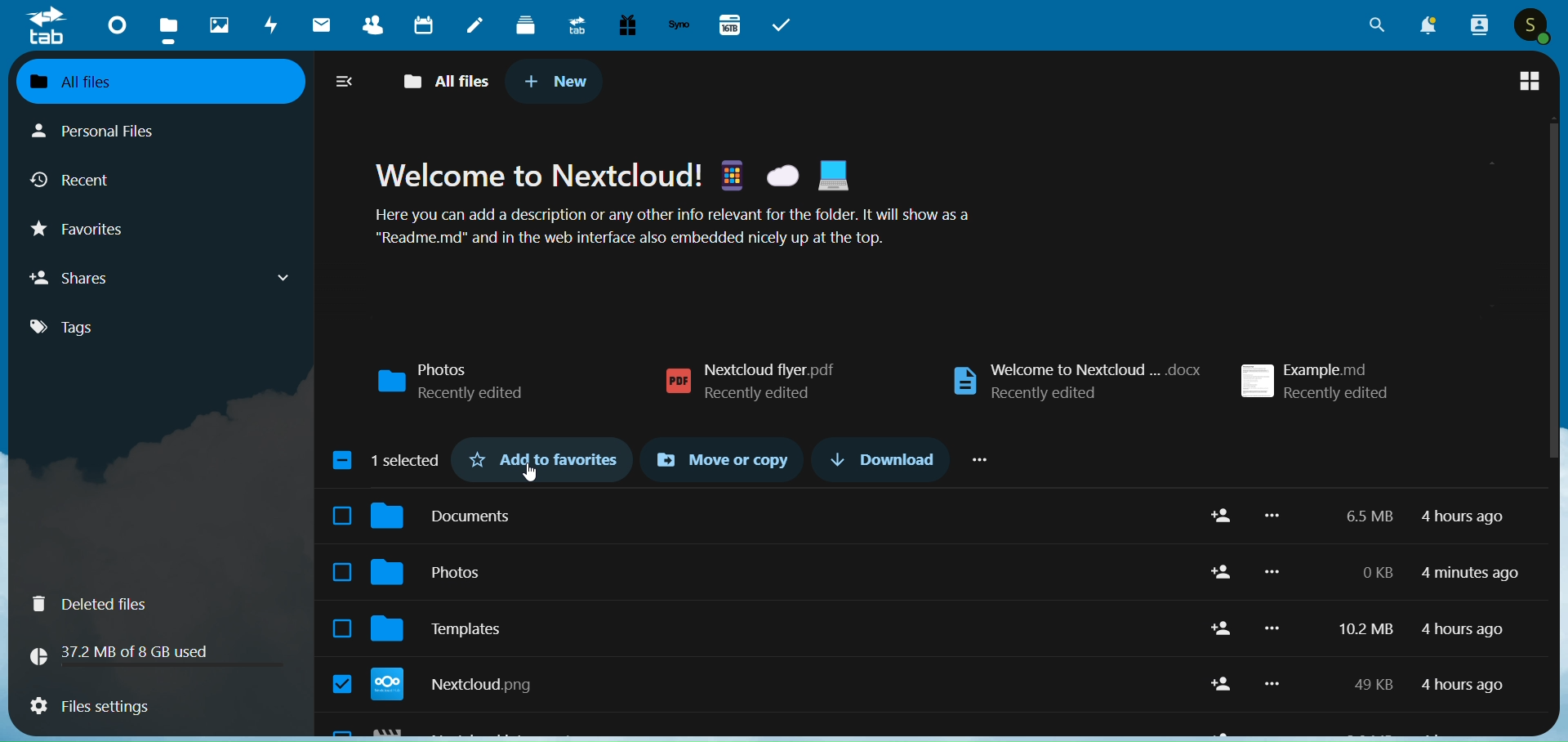  Describe the element at coordinates (367, 25) in the screenshot. I see `contacts` at that location.